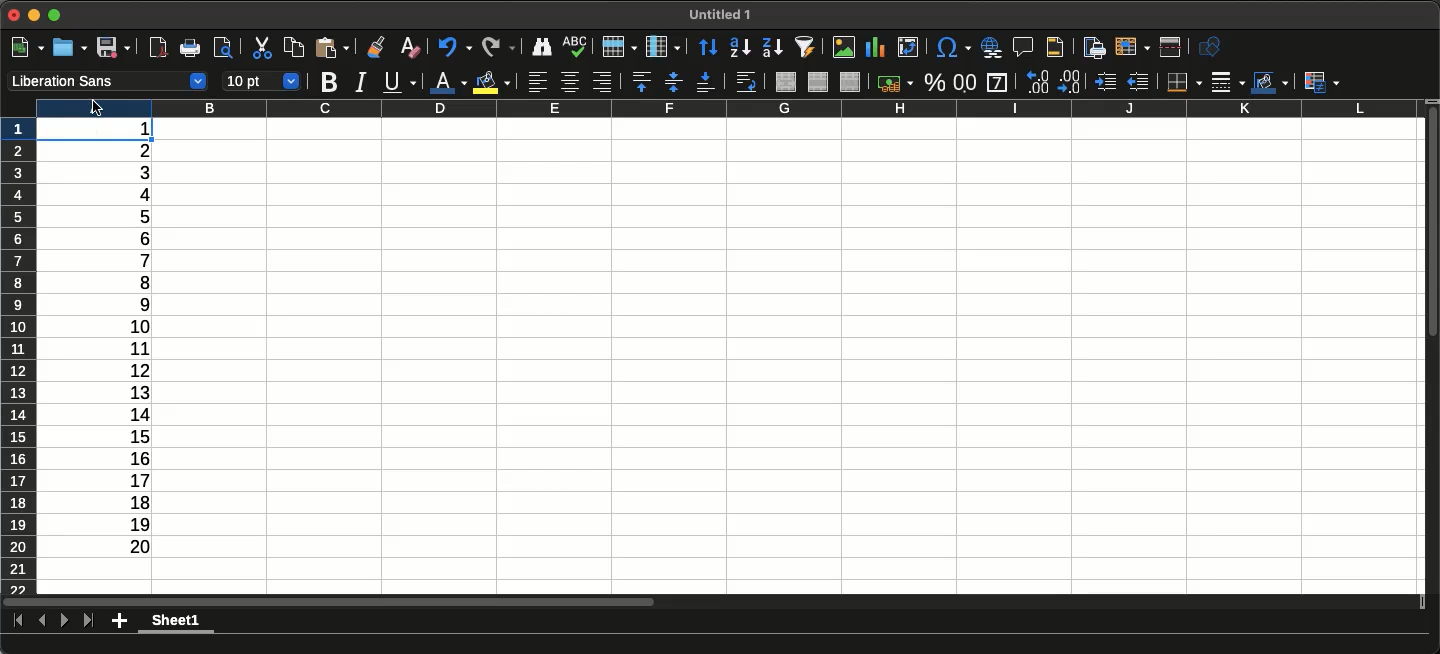  What do you see at coordinates (1071, 82) in the screenshot?
I see `Add decimal place` at bounding box center [1071, 82].